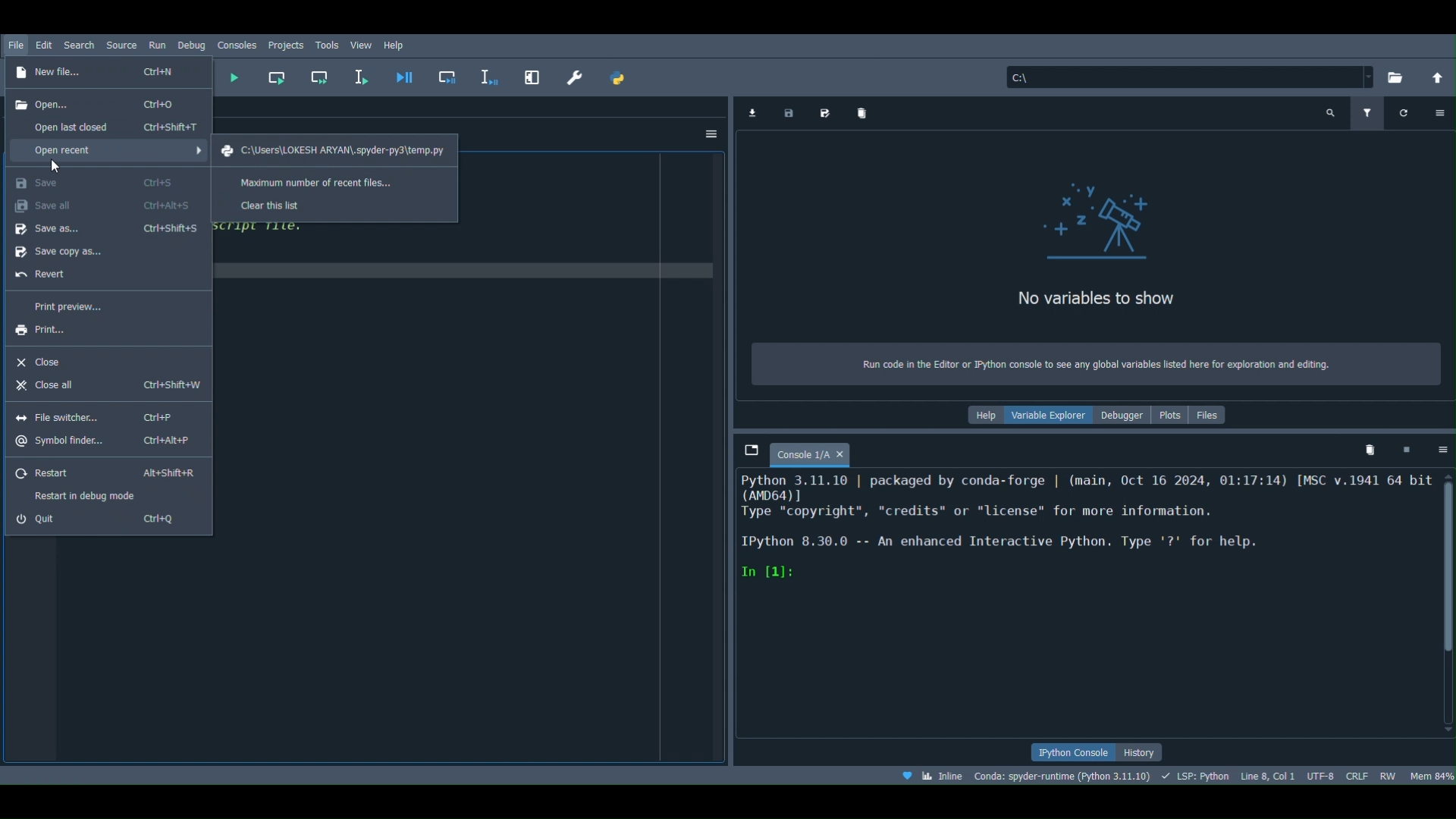 The width and height of the screenshot is (1456, 819). What do you see at coordinates (865, 114) in the screenshot?
I see `Remove all variables` at bounding box center [865, 114].